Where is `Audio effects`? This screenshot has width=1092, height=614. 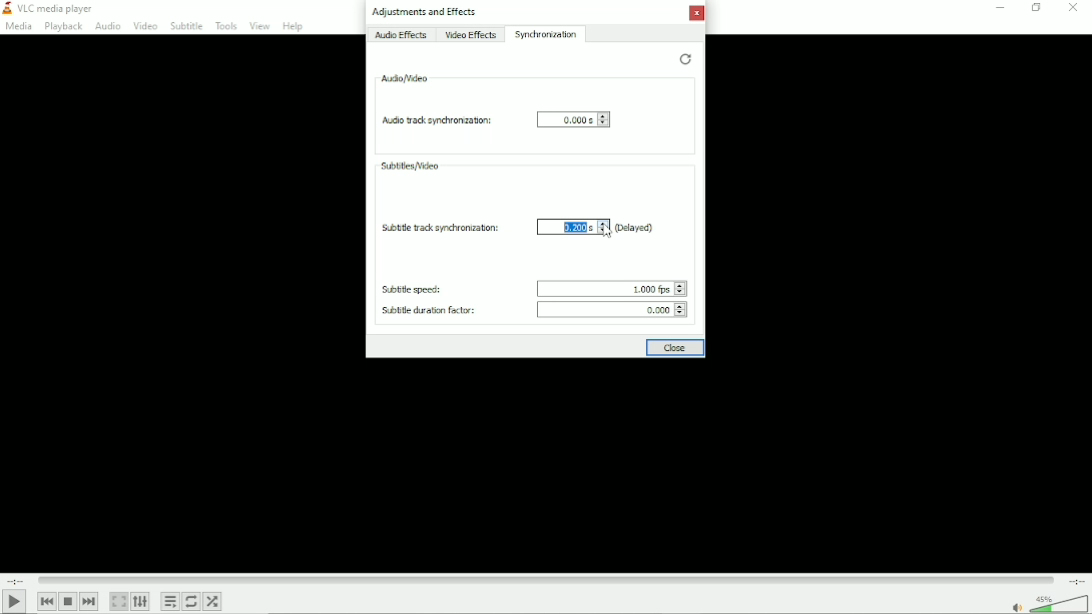
Audio effects is located at coordinates (402, 36).